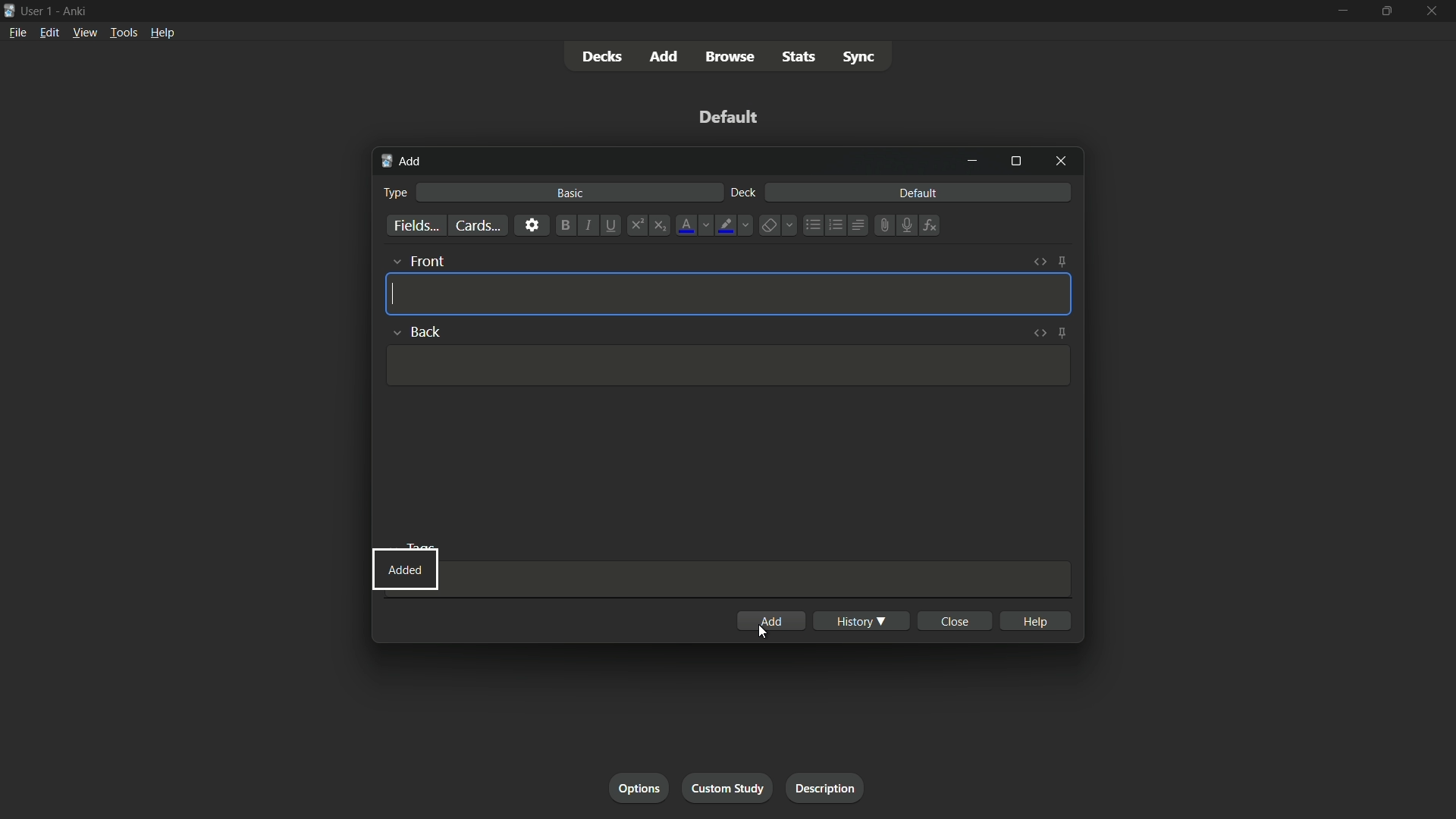 The height and width of the screenshot is (819, 1456). What do you see at coordinates (685, 225) in the screenshot?
I see `font color` at bounding box center [685, 225].